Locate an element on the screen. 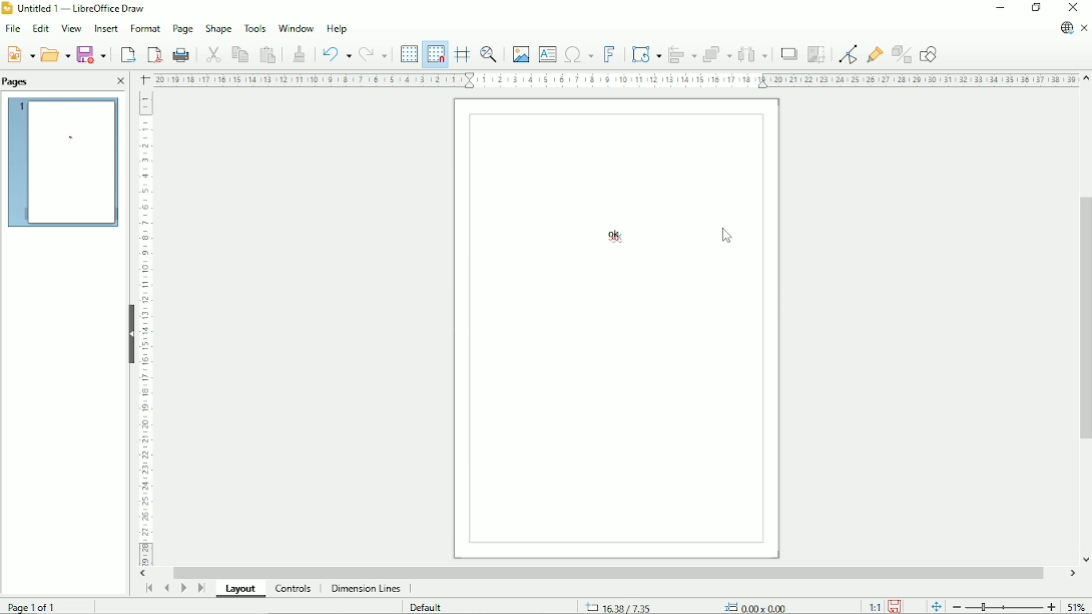 This screenshot has width=1092, height=614. Window is located at coordinates (295, 27).